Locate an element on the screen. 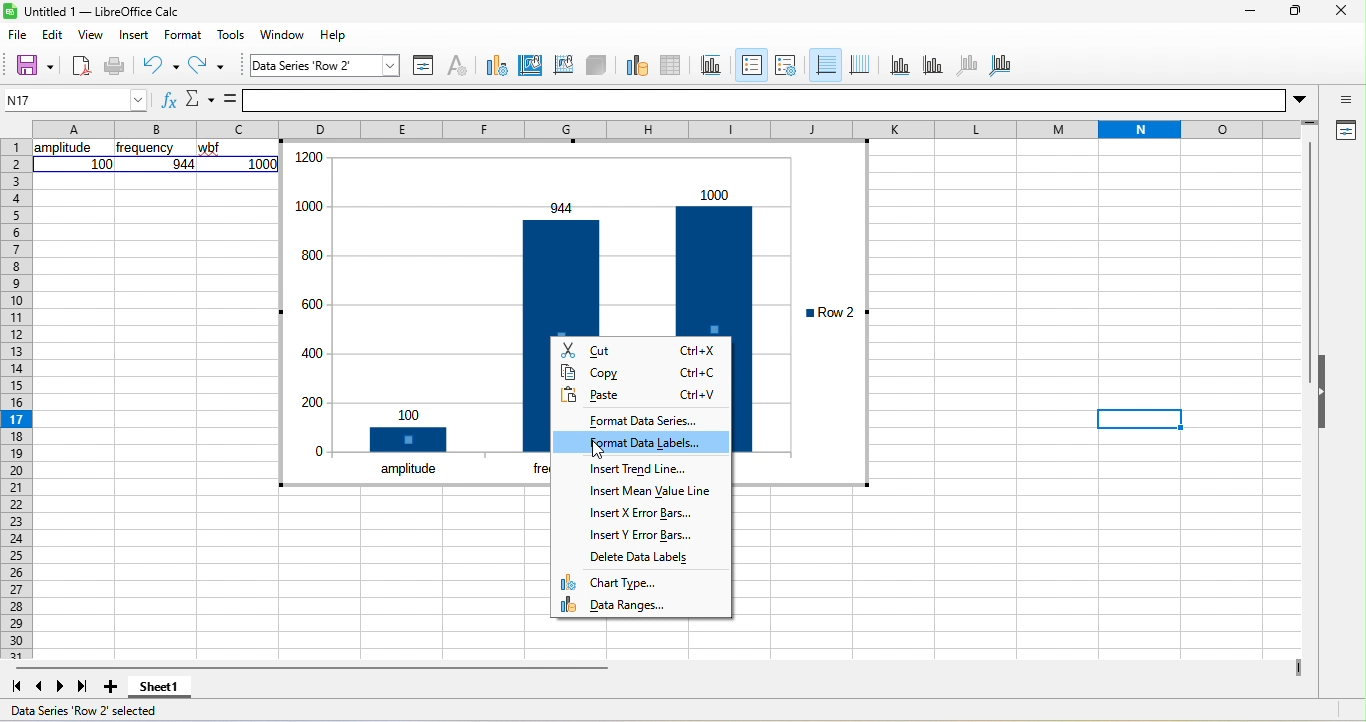  insert trend line is located at coordinates (638, 471).